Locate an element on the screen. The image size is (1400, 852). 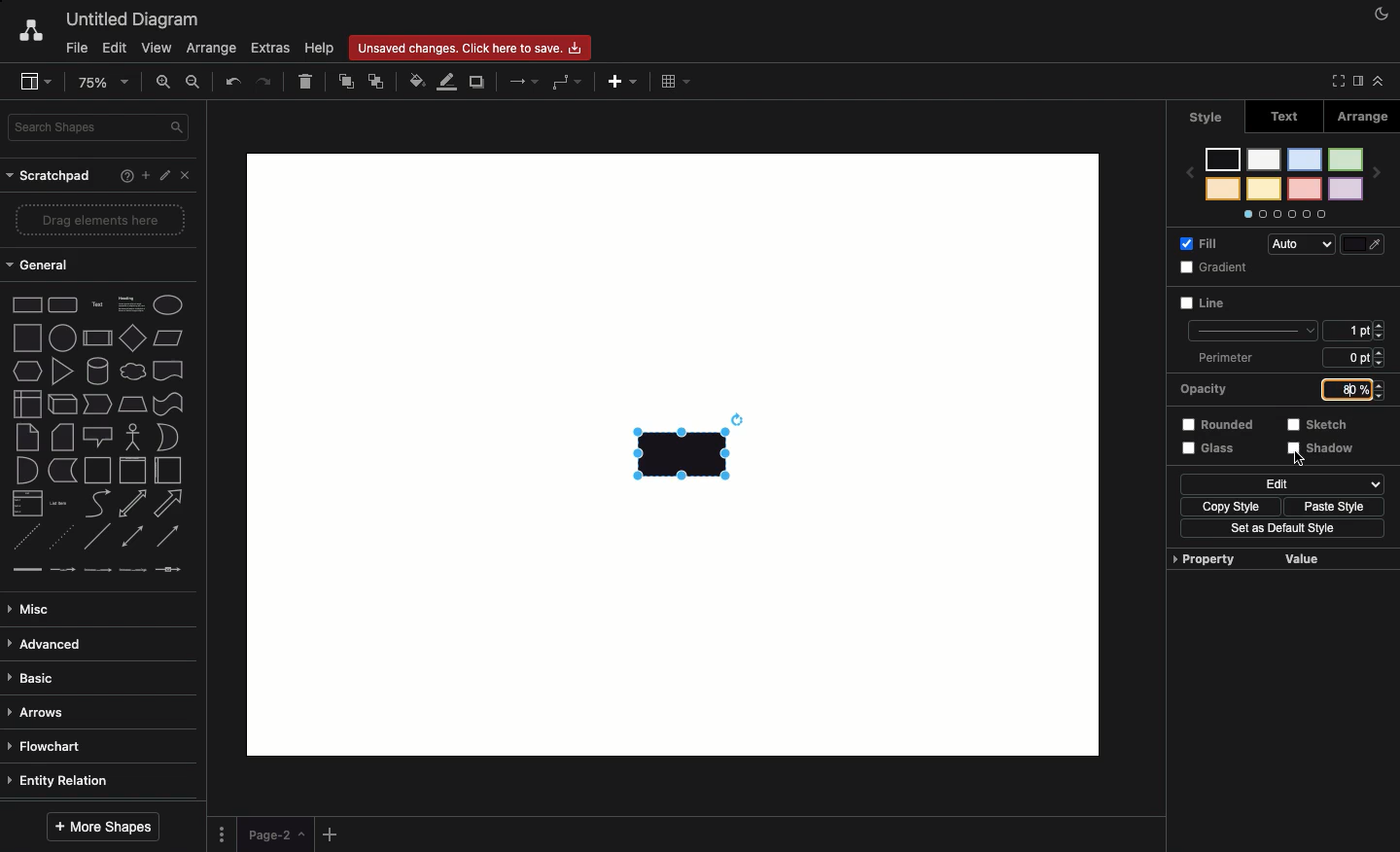
hexagon is located at coordinates (24, 371).